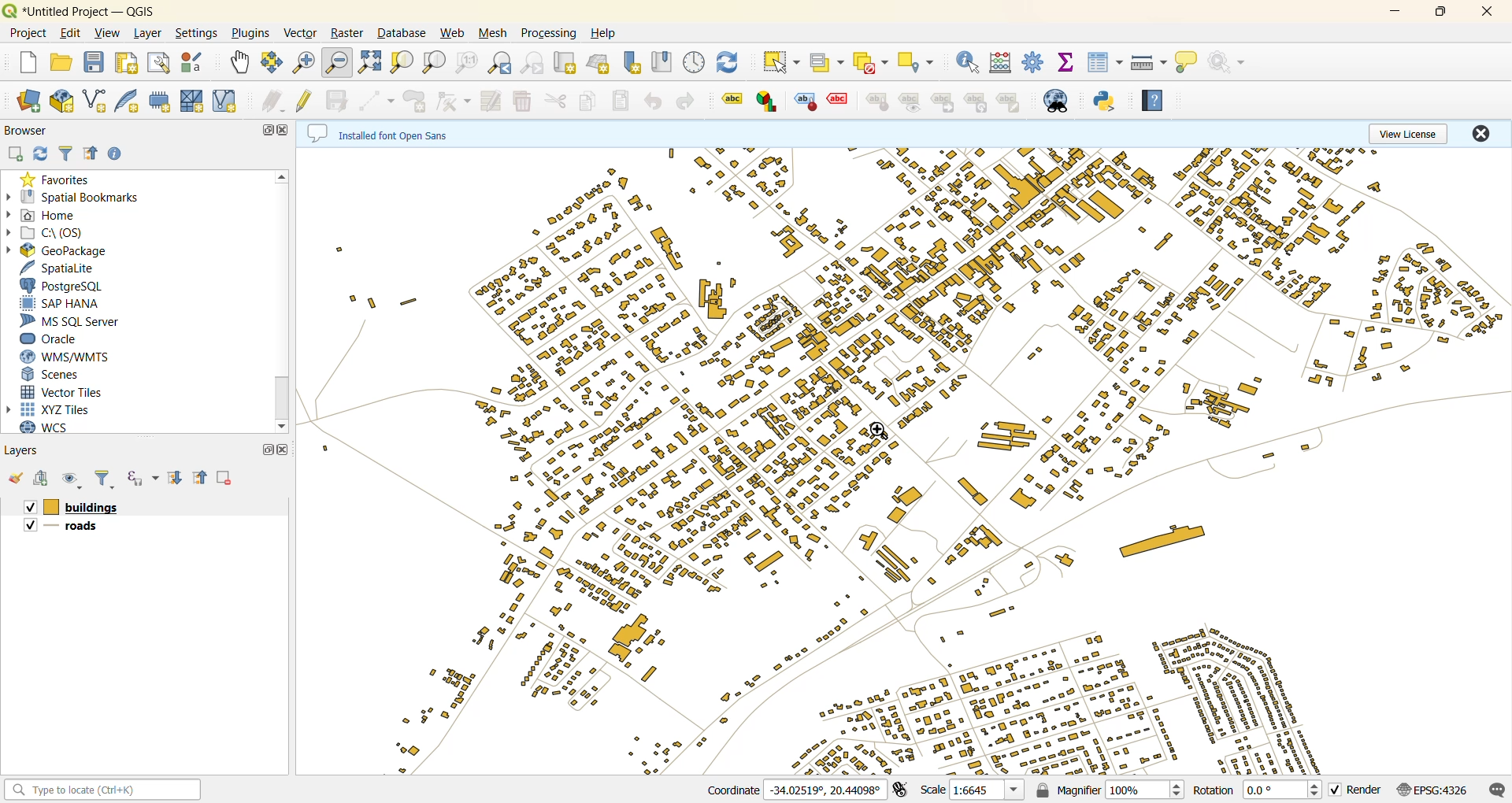 The width and height of the screenshot is (1512, 803). I want to click on zoom last, so click(505, 63).